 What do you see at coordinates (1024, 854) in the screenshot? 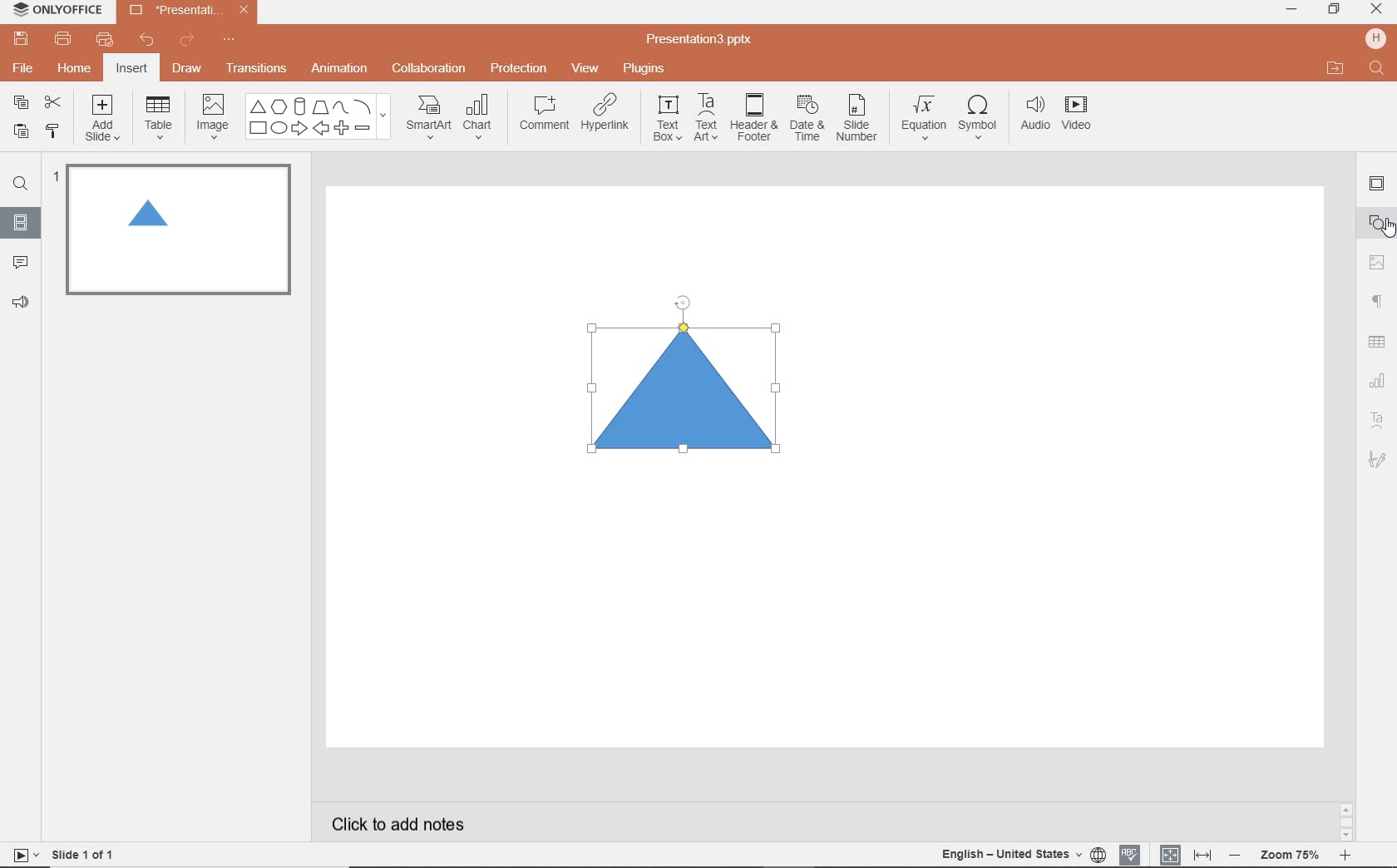
I see `TEXT LANGUAGE` at bounding box center [1024, 854].